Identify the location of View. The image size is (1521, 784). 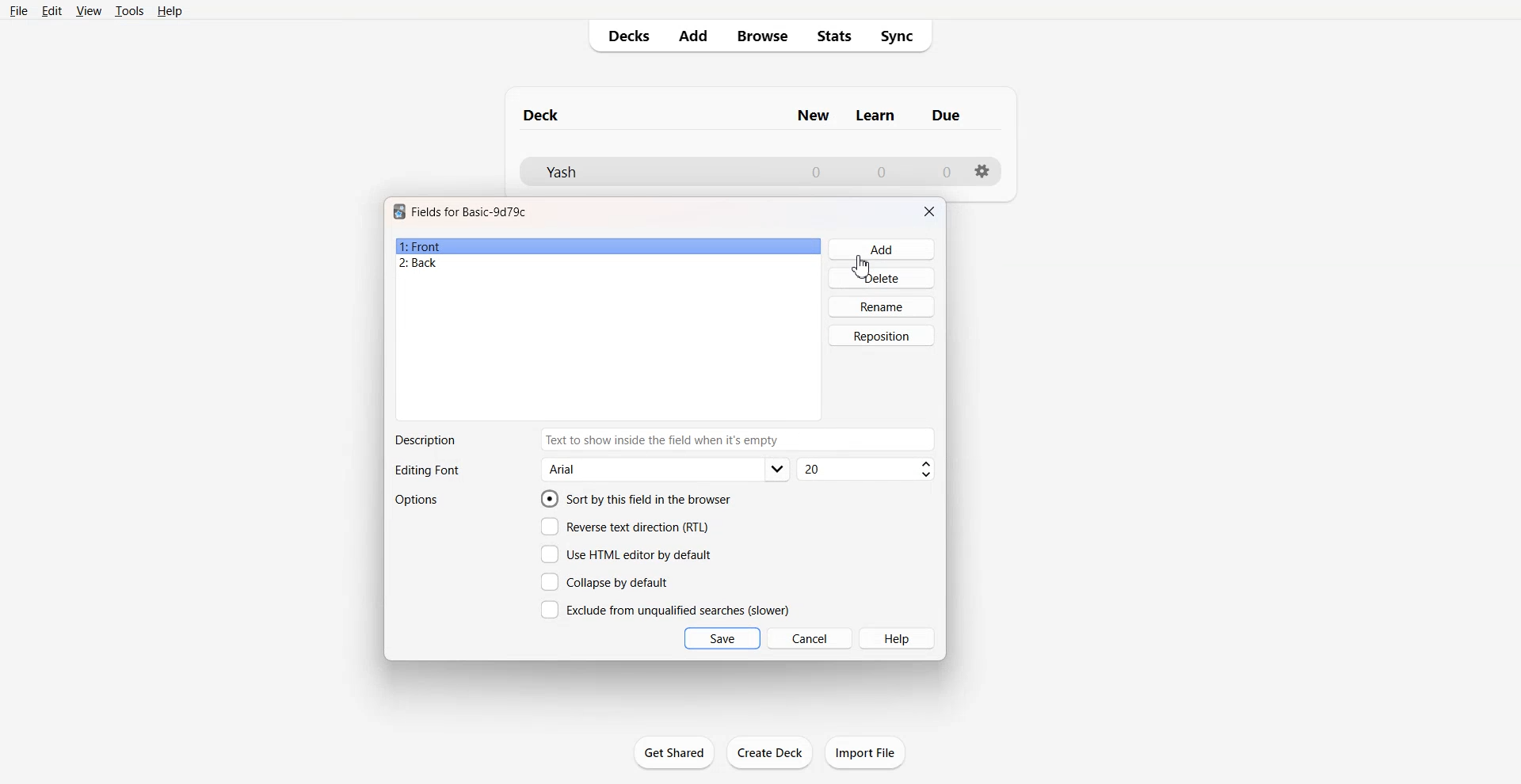
(90, 10).